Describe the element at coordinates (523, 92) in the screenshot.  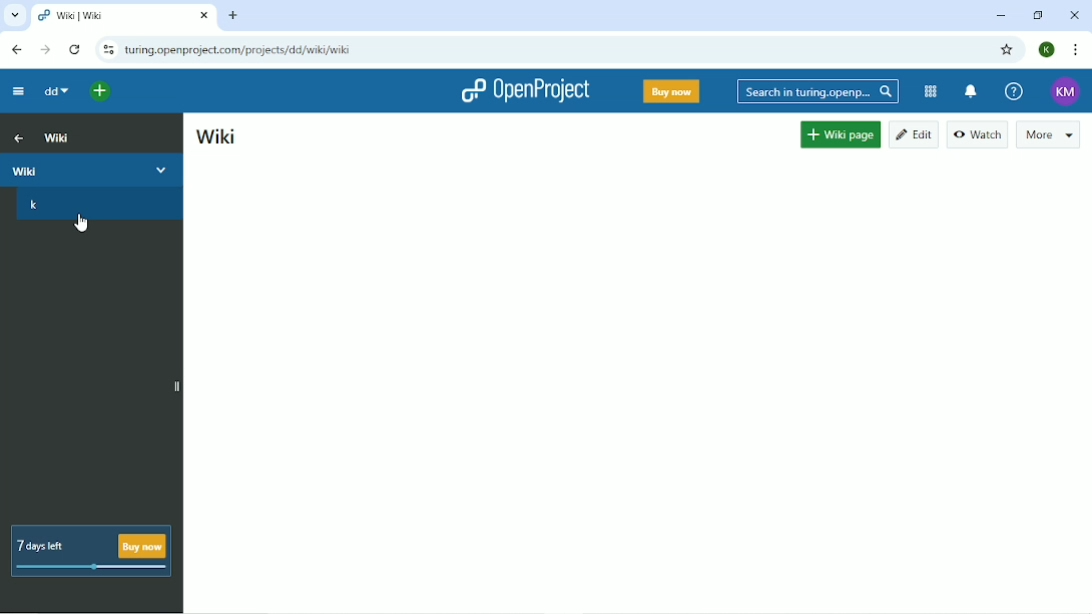
I see `OpenProject` at that location.